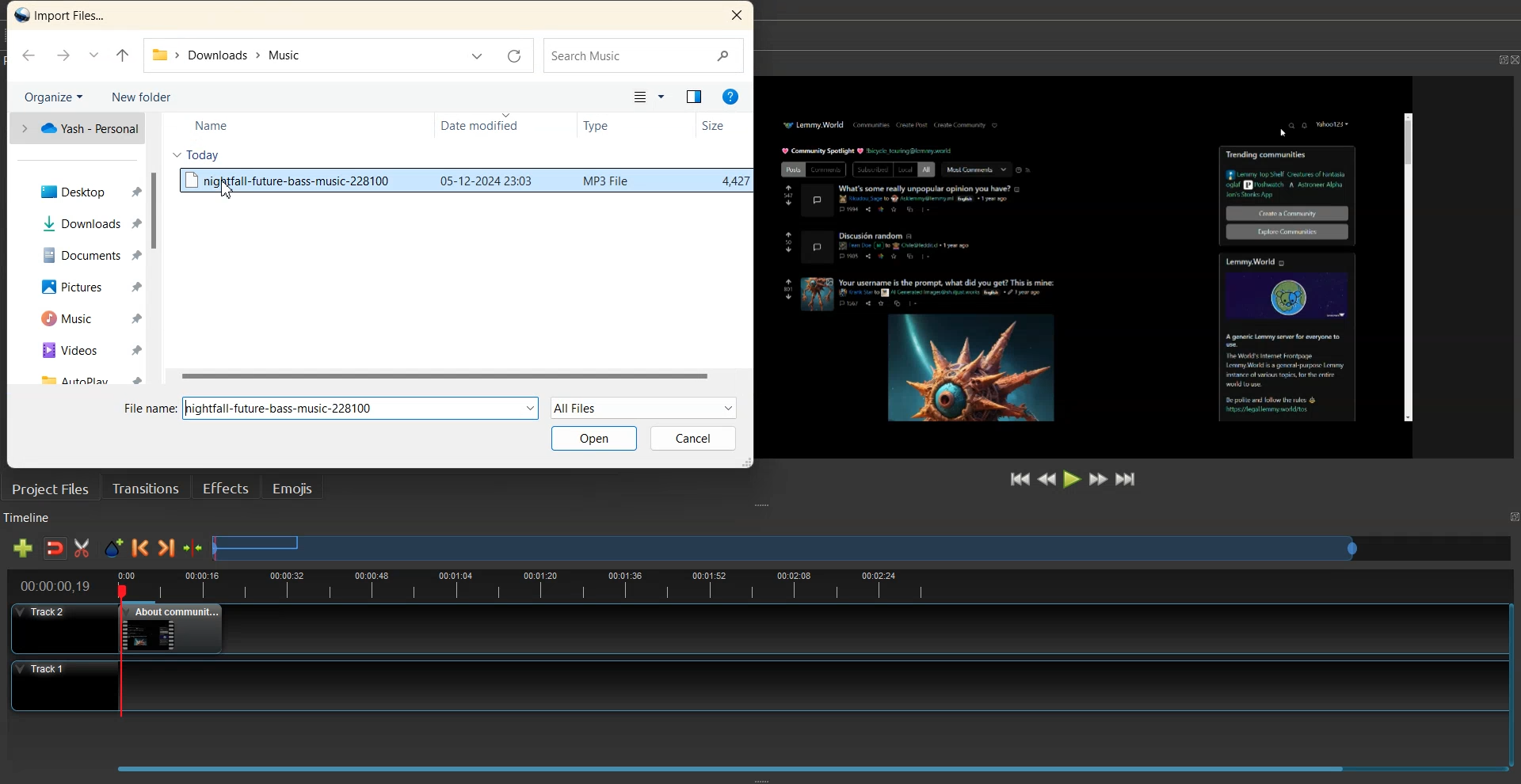 Image resolution: width=1521 pixels, height=784 pixels. What do you see at coordinates (204, 153) in the screenshot?
I see `Today` at bounding box center [204, 153].